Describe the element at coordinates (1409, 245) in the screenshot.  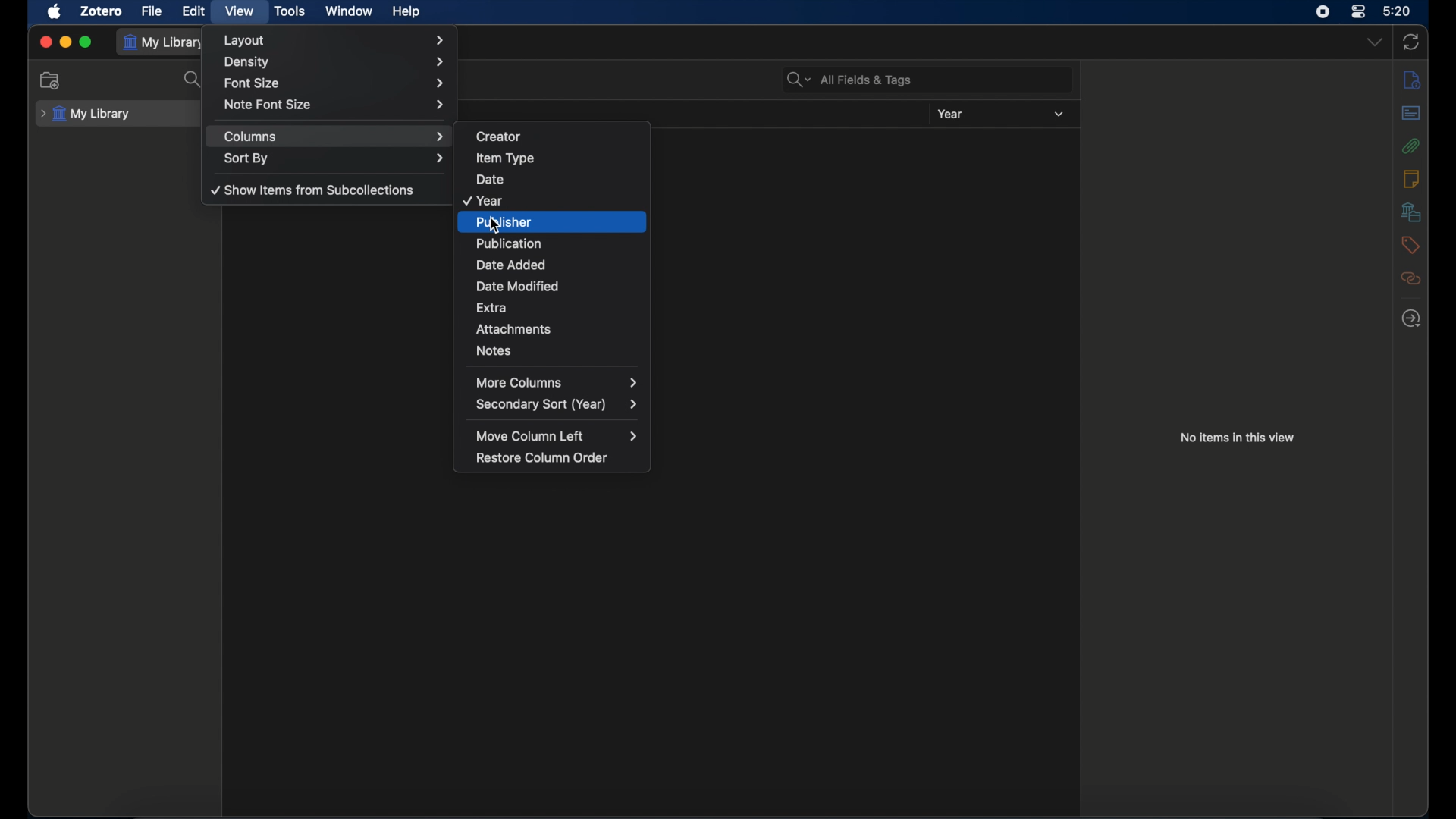
I see `tags` at that location.